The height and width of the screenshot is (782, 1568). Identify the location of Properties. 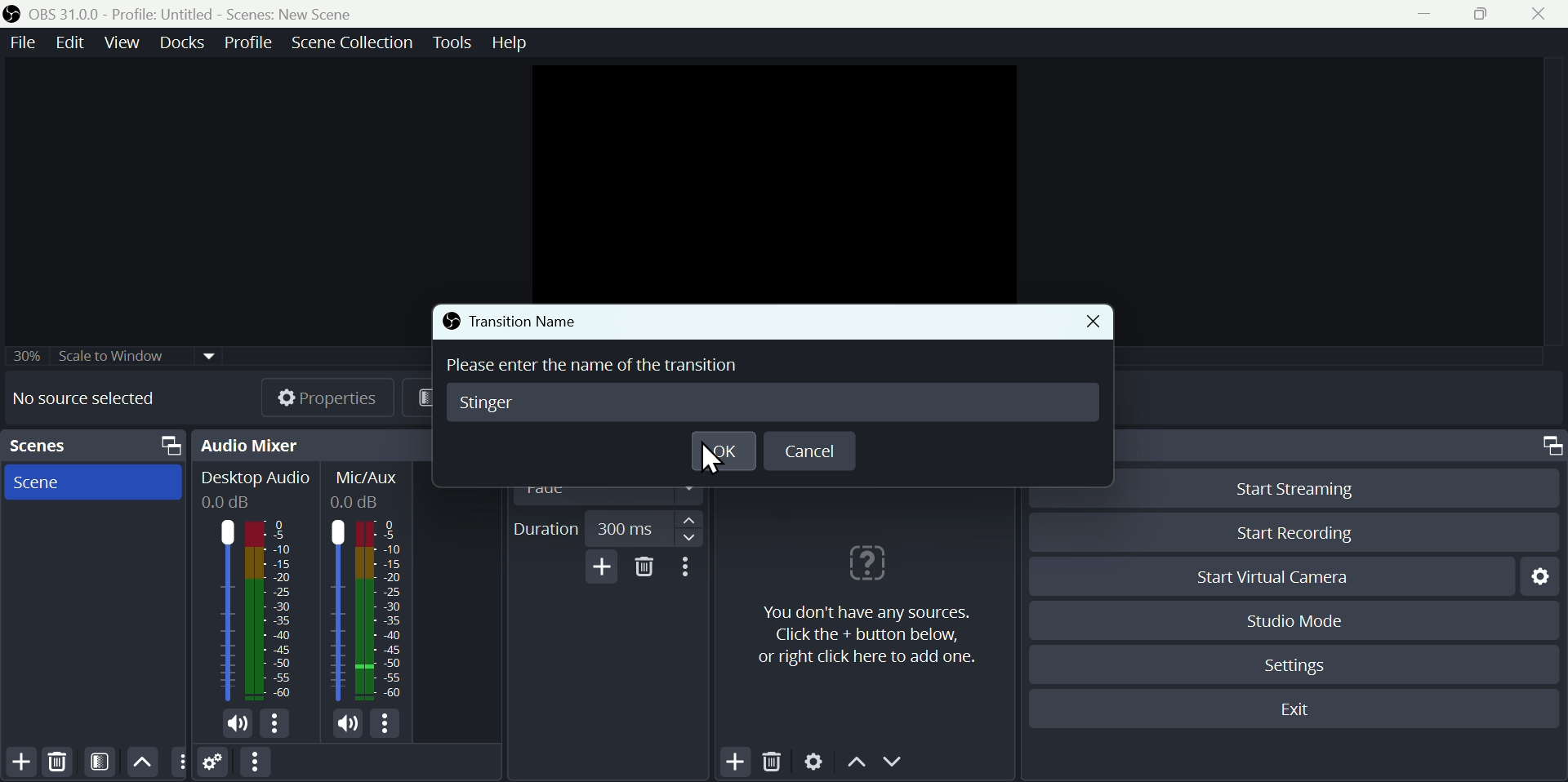
(329, 395).